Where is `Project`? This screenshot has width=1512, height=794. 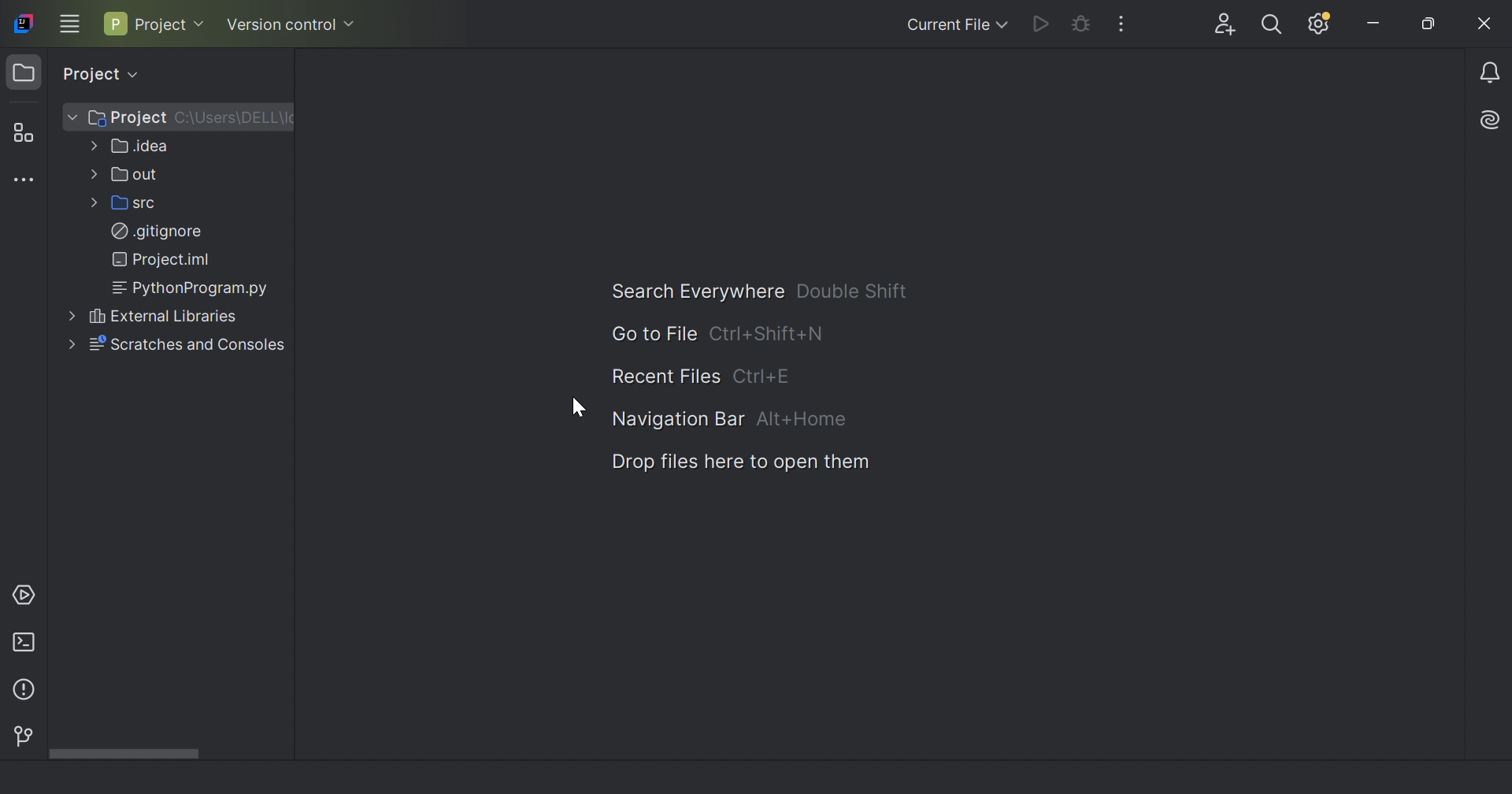
Project is located at coordinates (98, 71).